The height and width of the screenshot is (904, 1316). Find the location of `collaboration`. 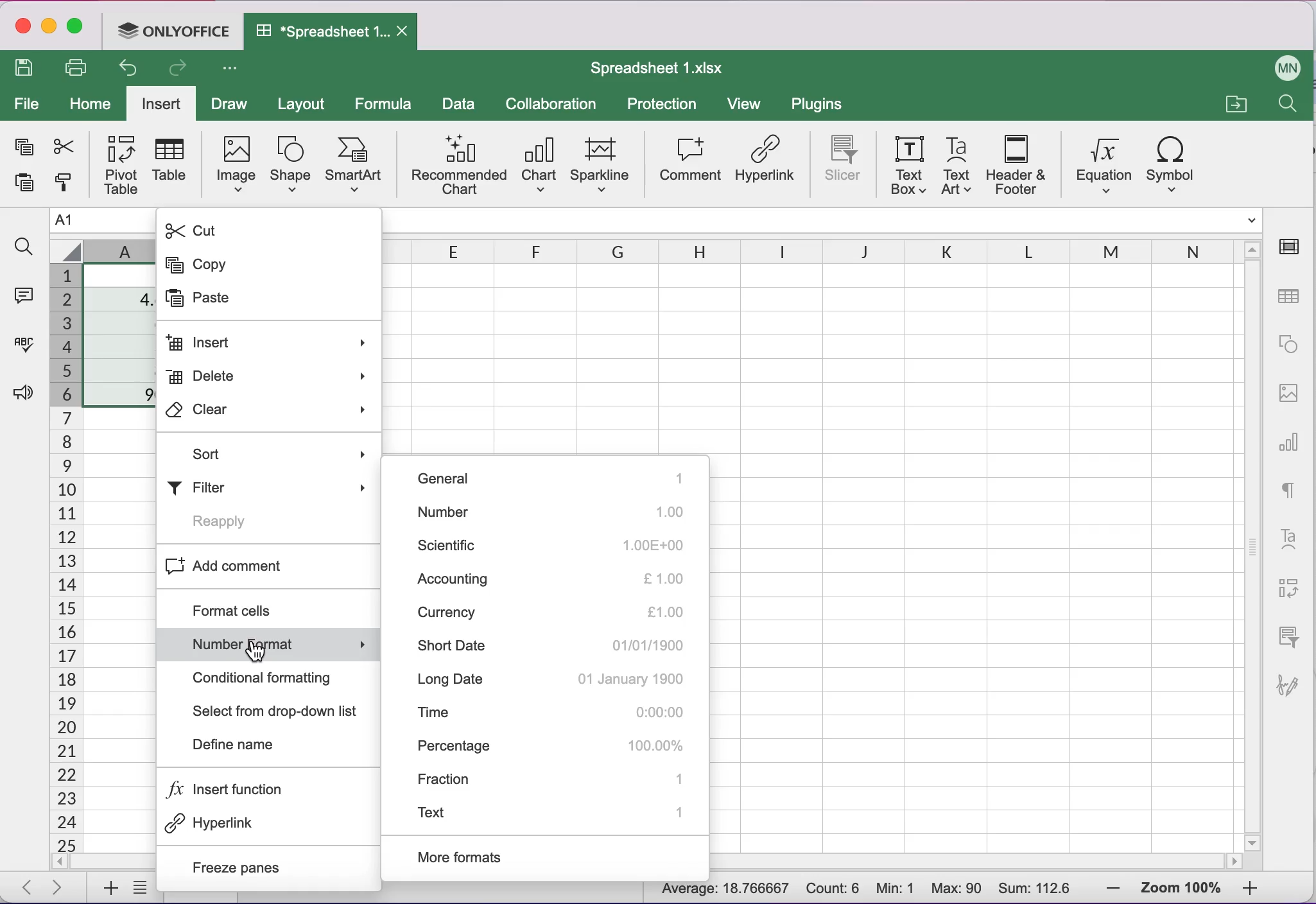

collaboration is located at coordinates (553, 103).